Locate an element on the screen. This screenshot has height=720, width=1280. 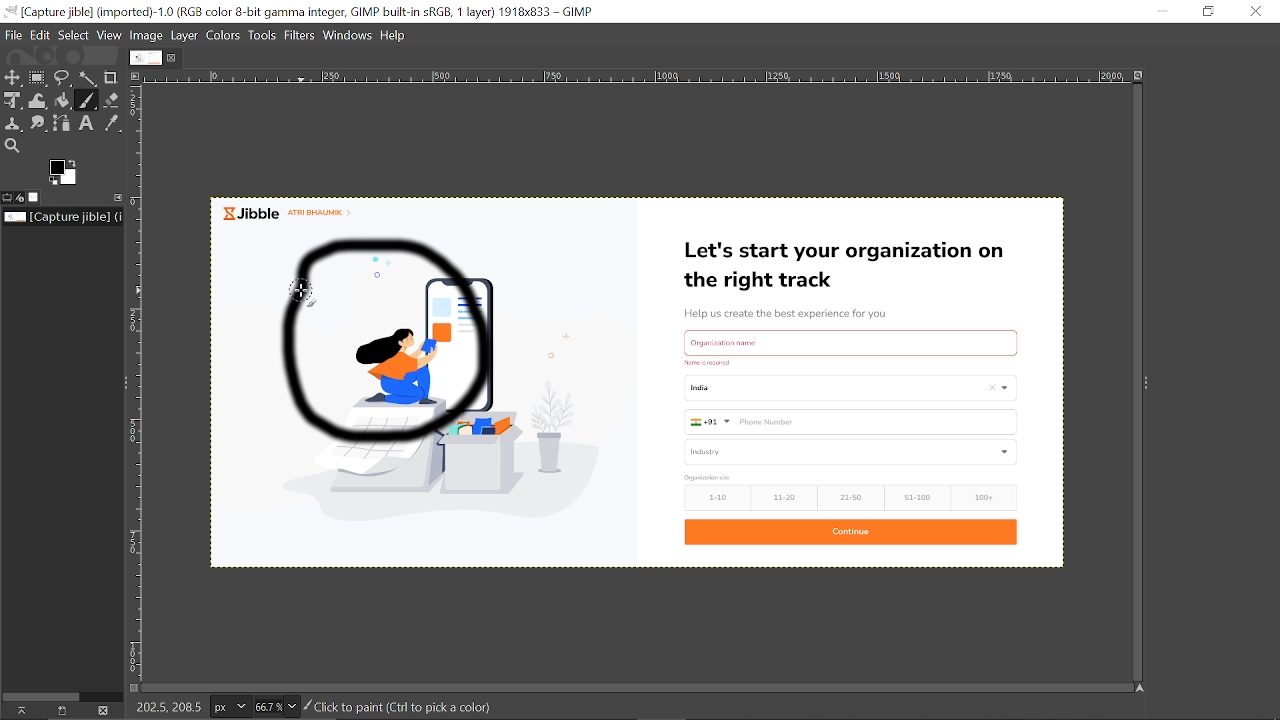
Close tab is located at coordinates (173, 58).